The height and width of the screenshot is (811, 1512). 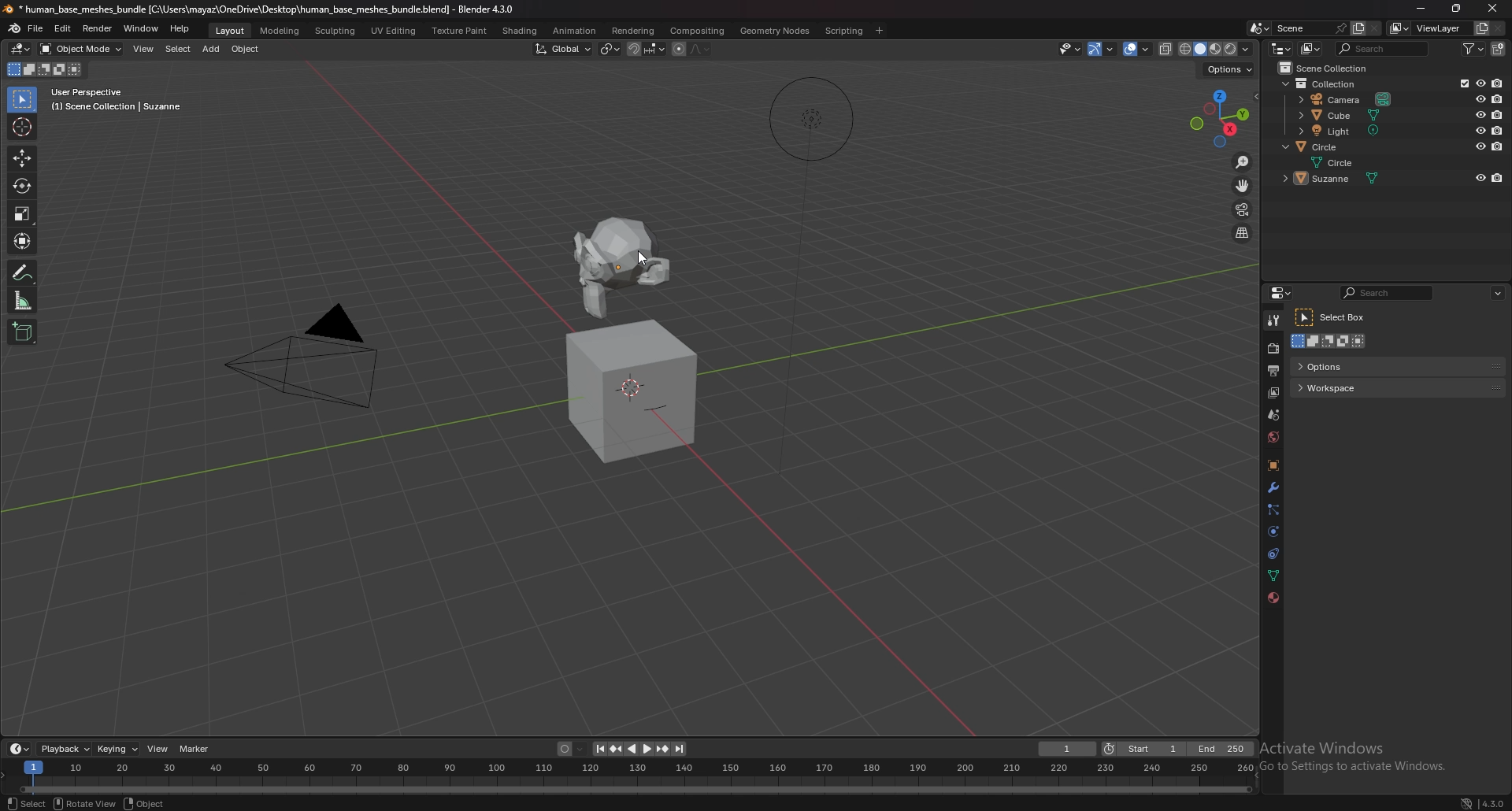 What do you see at coordinates (1340, 115) in the screenshot?
I see `cube` at bounding box center [1340, 115].